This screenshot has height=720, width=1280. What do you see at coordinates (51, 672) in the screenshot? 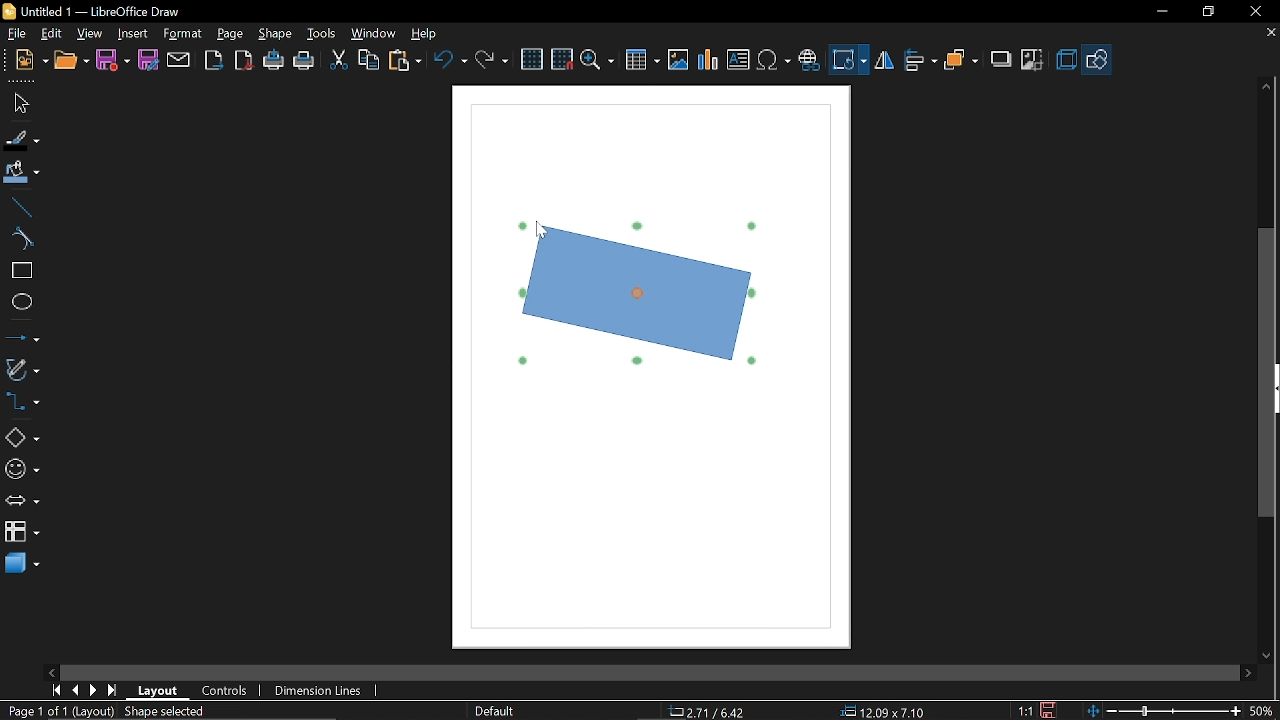
I see `Move left` at bounding box center [51, 672].